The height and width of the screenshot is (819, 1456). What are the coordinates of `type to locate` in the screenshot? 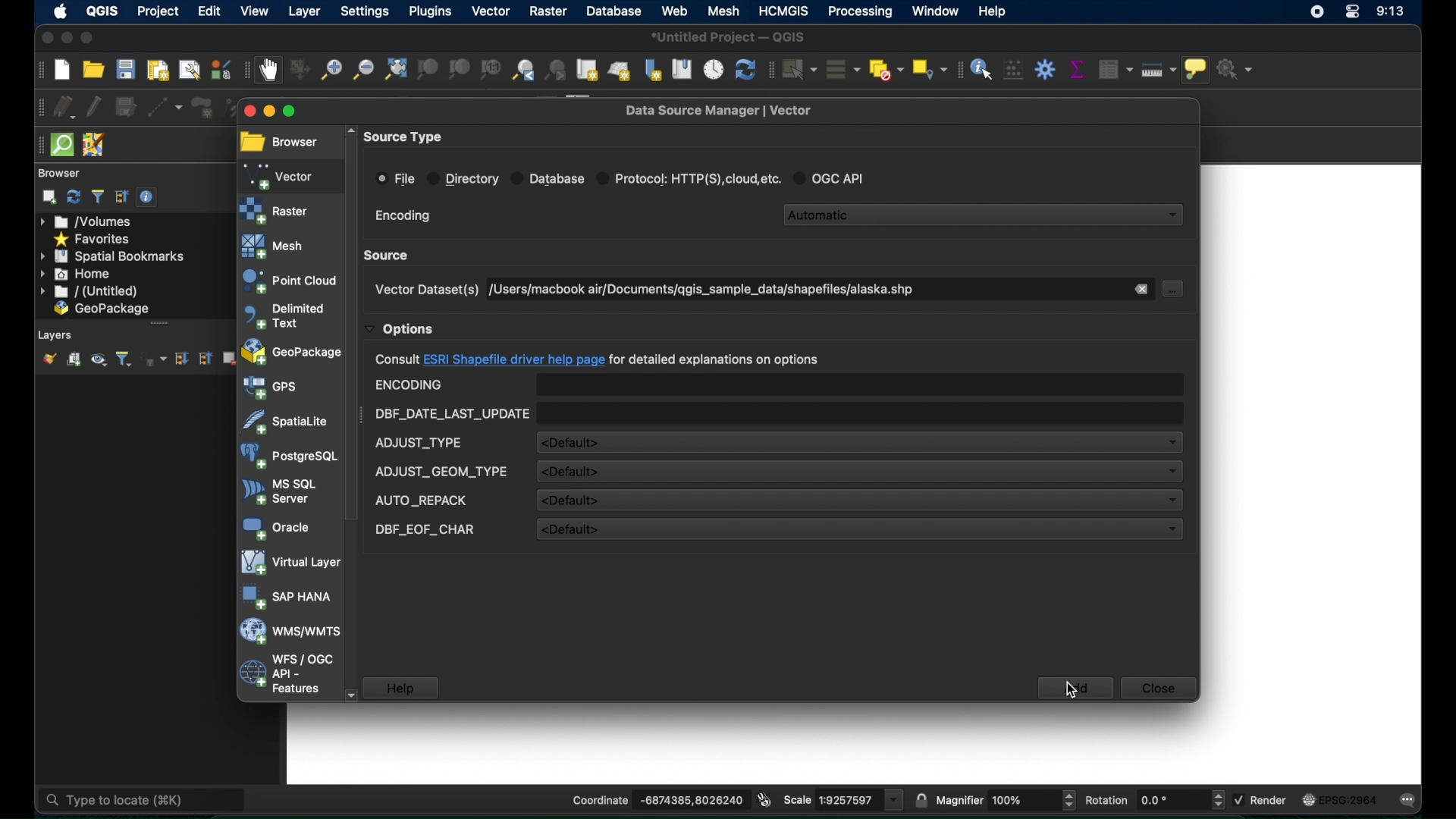 It's located at (106, 799).